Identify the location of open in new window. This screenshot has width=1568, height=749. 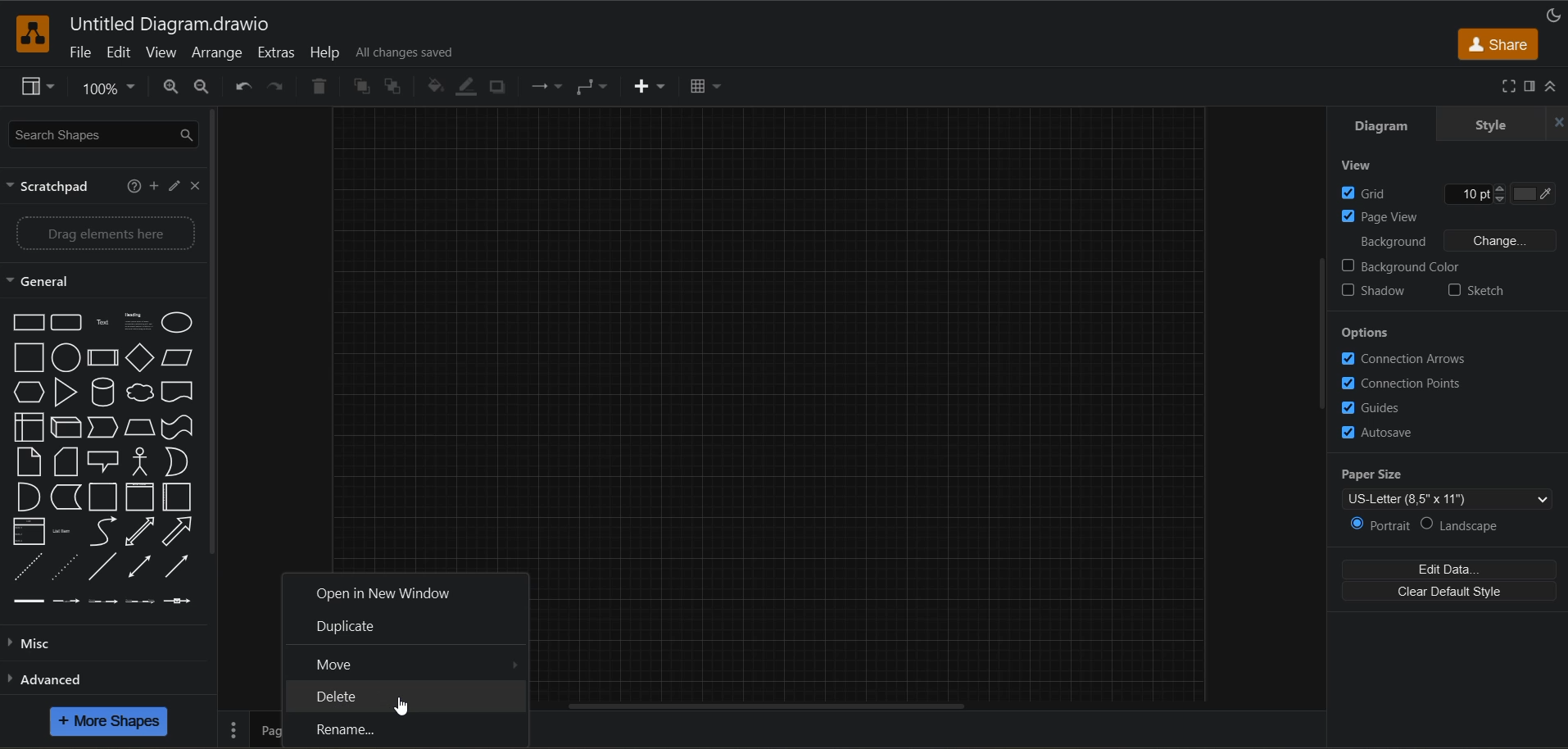
(387, 595).